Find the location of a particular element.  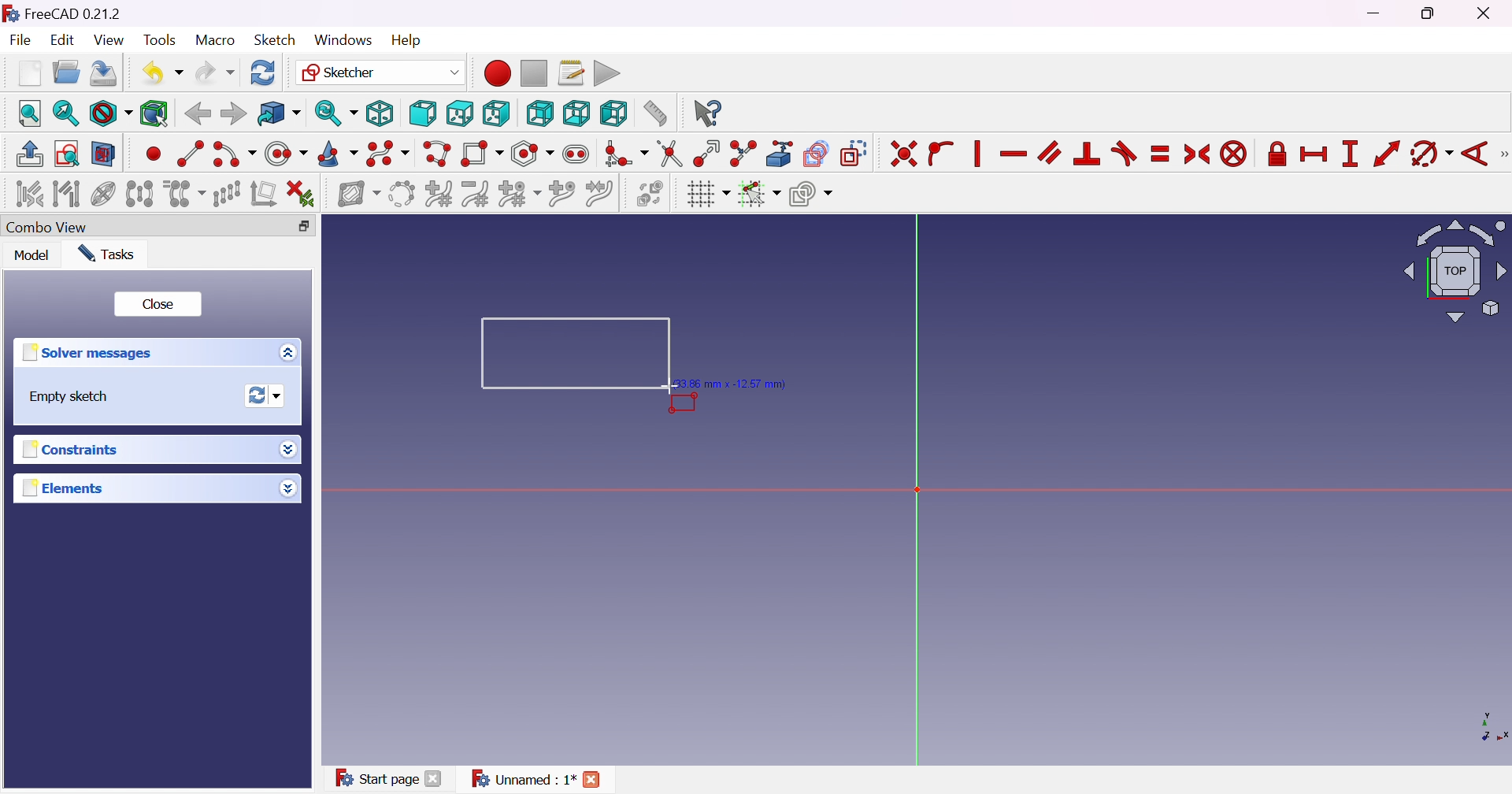

Macros is located at coordinates (571, 72).